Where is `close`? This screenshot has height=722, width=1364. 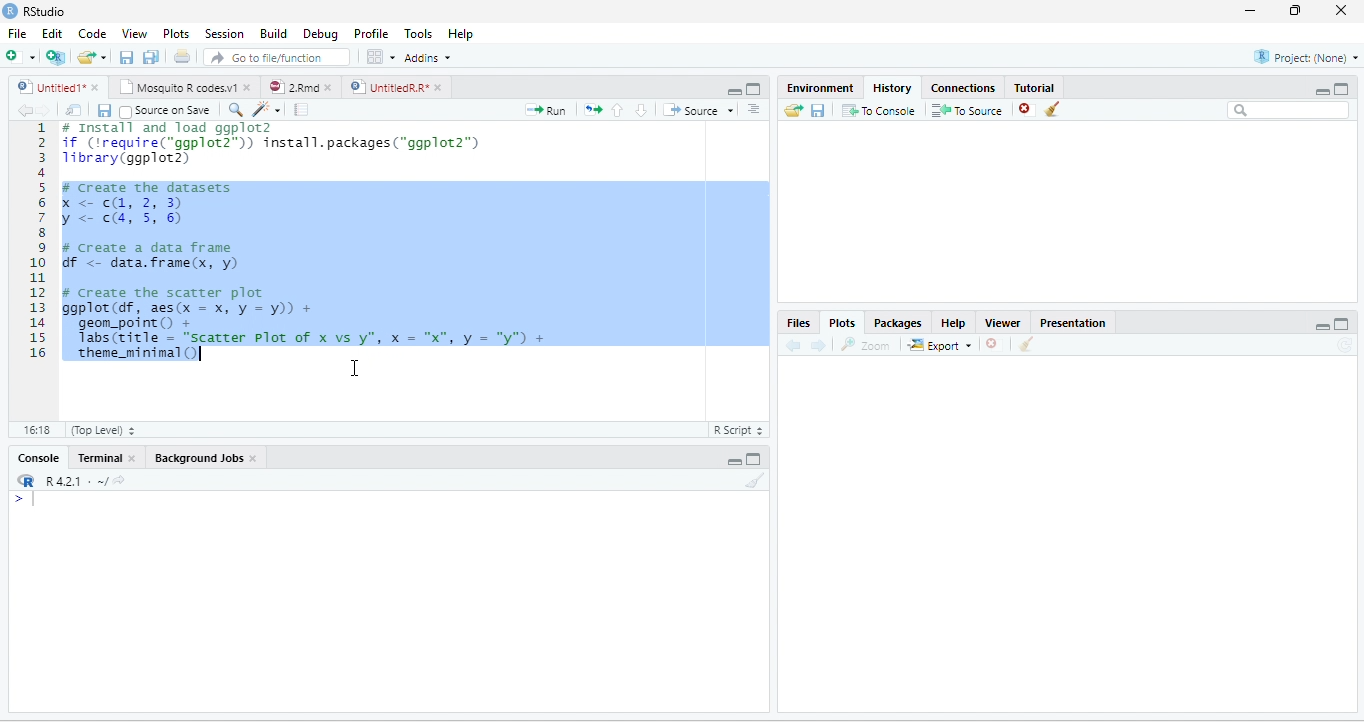 close is located at coordinates (254, 459).